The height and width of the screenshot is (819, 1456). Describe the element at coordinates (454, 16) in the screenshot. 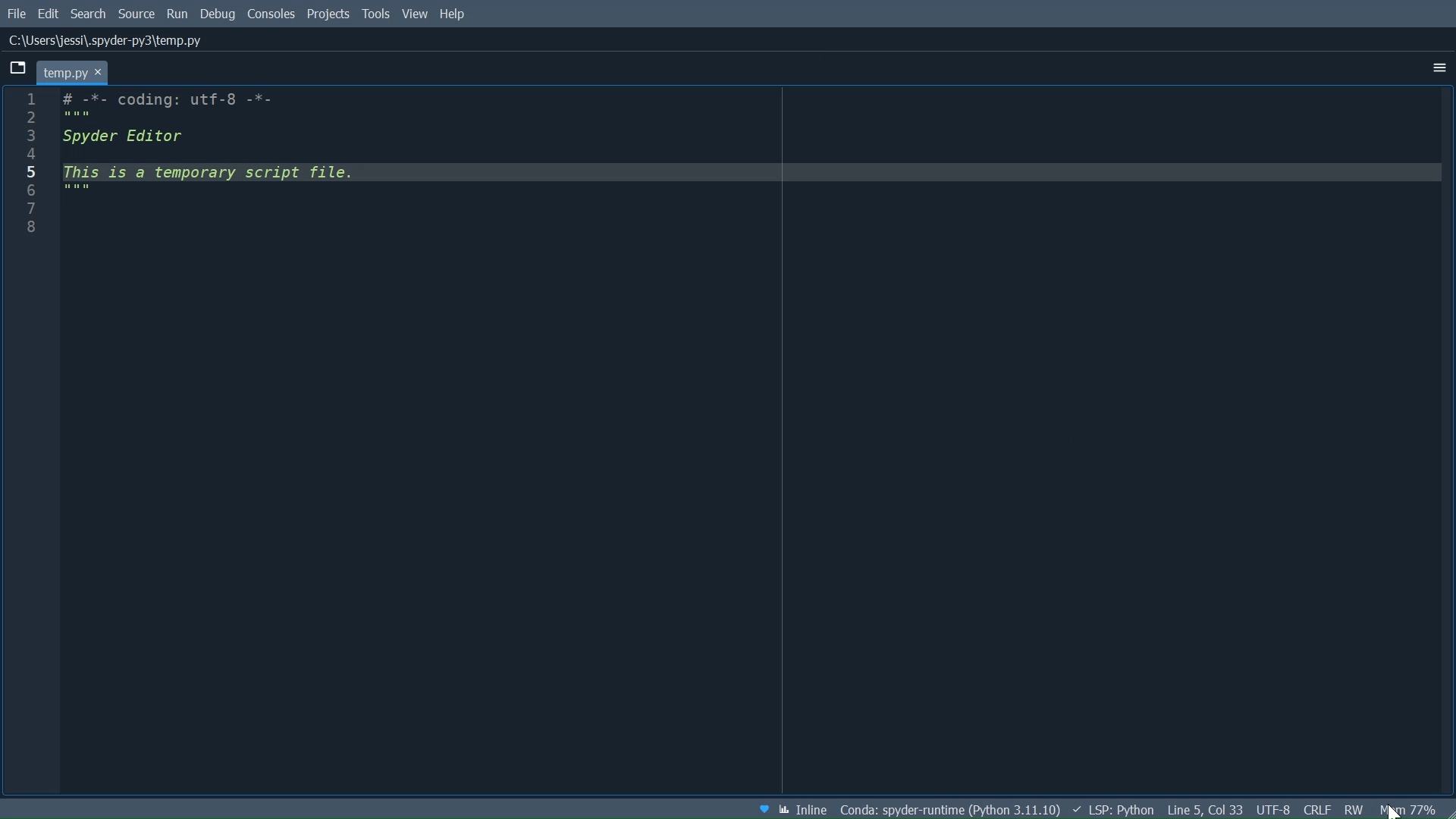

I see `Help` at that location.